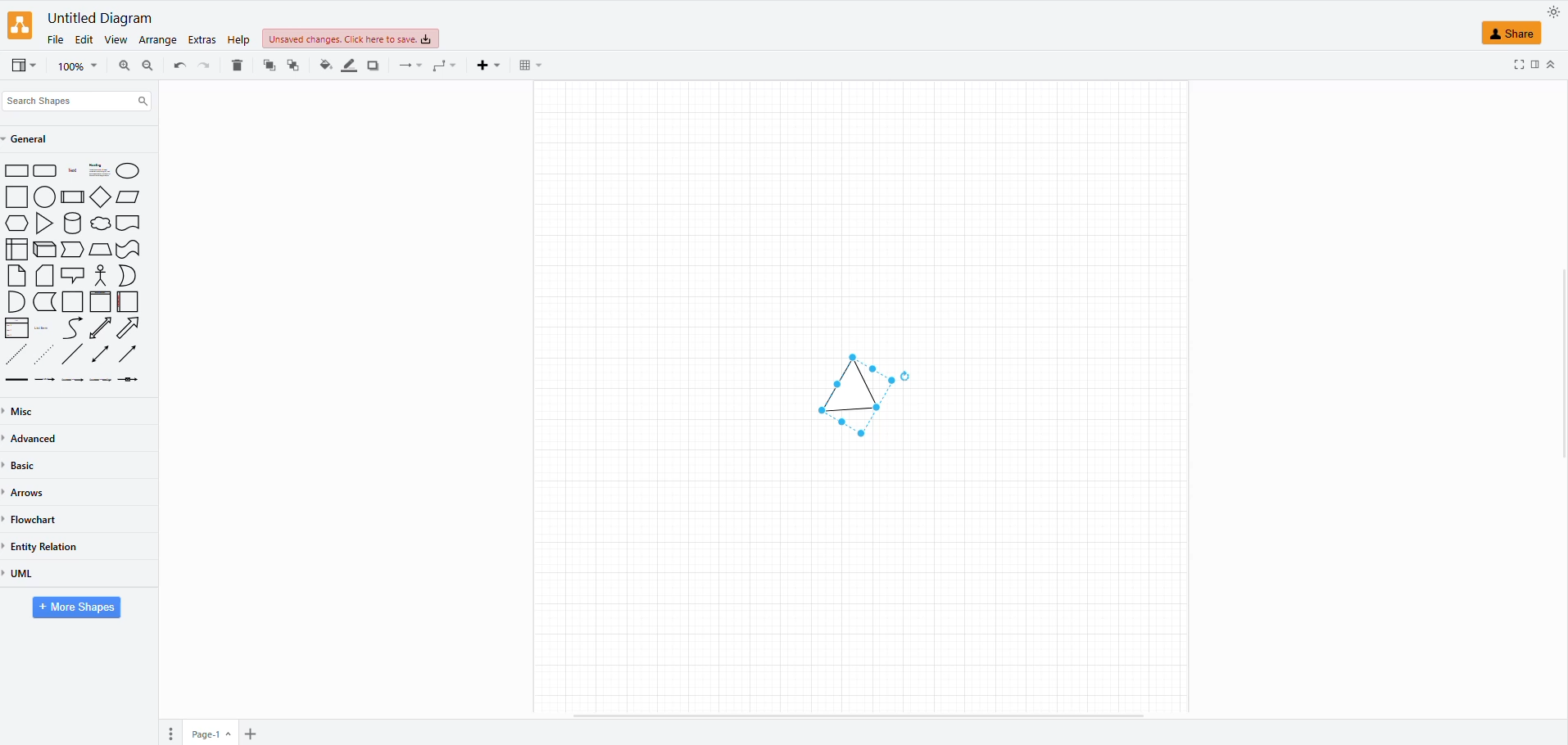 The height and width of the screenshot is (745, 1568). Describe the element at coordinates (70, 69) in the screenshot. I see `magnifier` at that location.